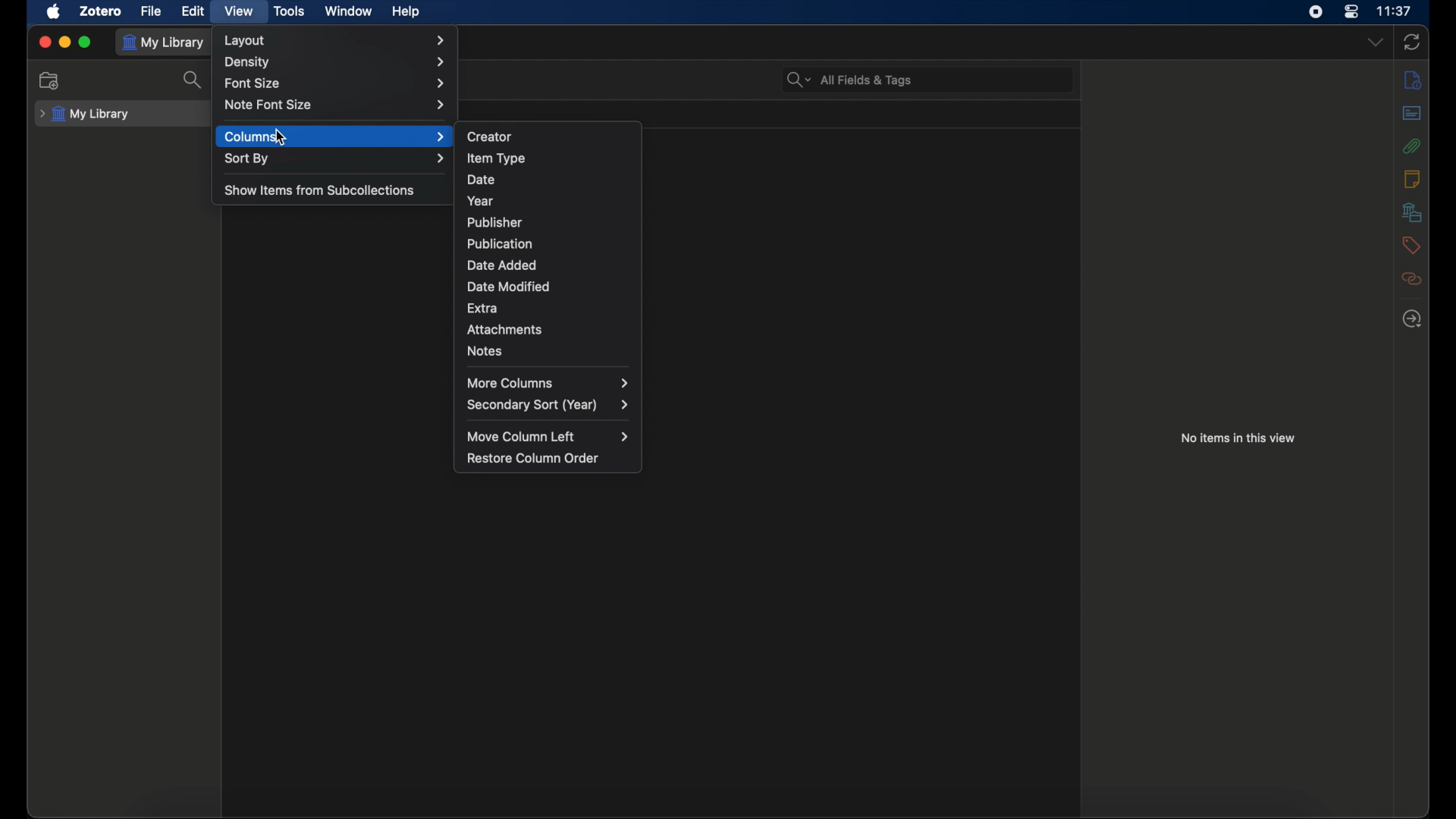  What do you see at coordinates (349, 10) in the screenshot?
I see `window` at bounding box center [349, 10].